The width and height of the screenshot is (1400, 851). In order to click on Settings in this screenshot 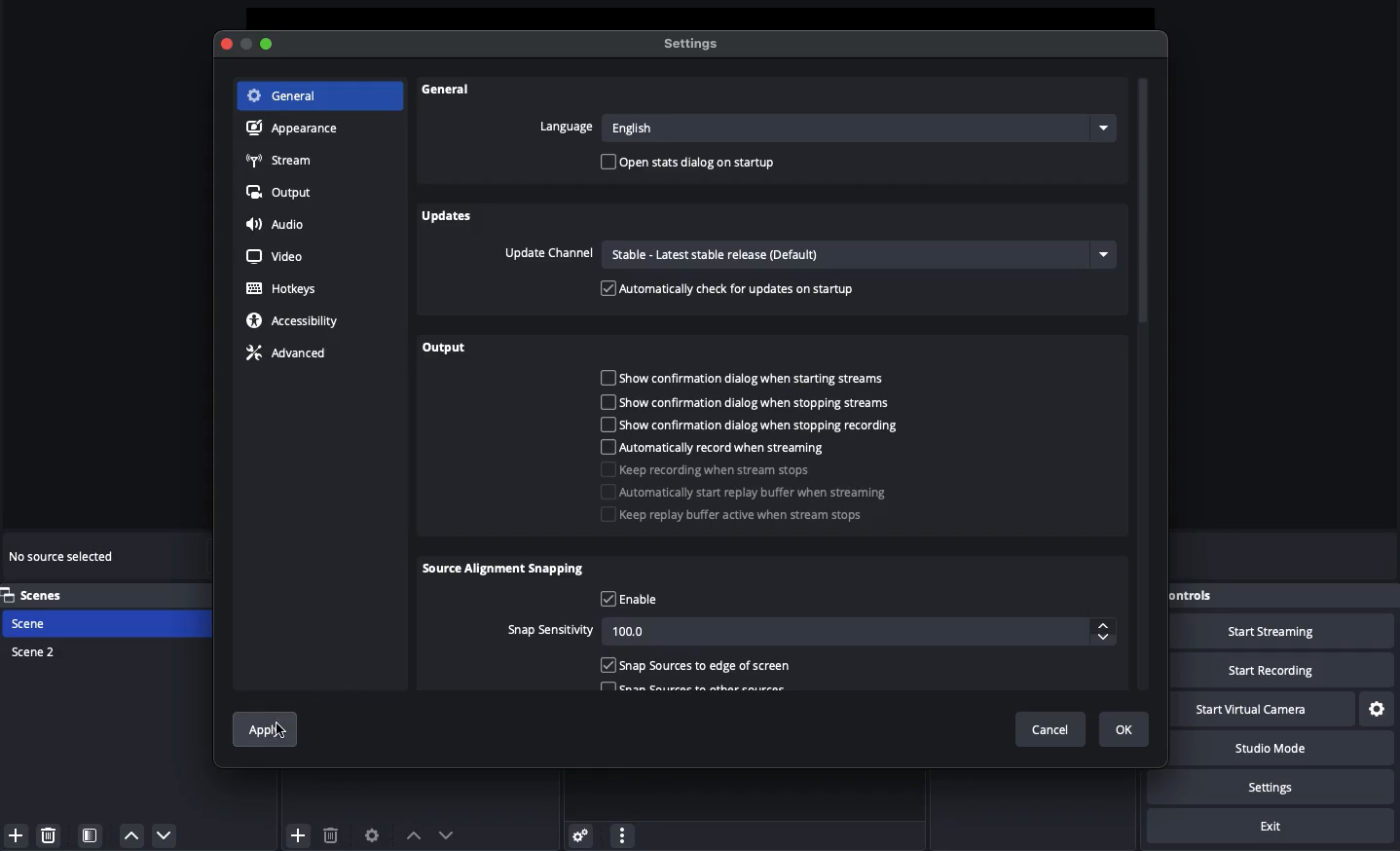, I will do `click(1379, 707)`.